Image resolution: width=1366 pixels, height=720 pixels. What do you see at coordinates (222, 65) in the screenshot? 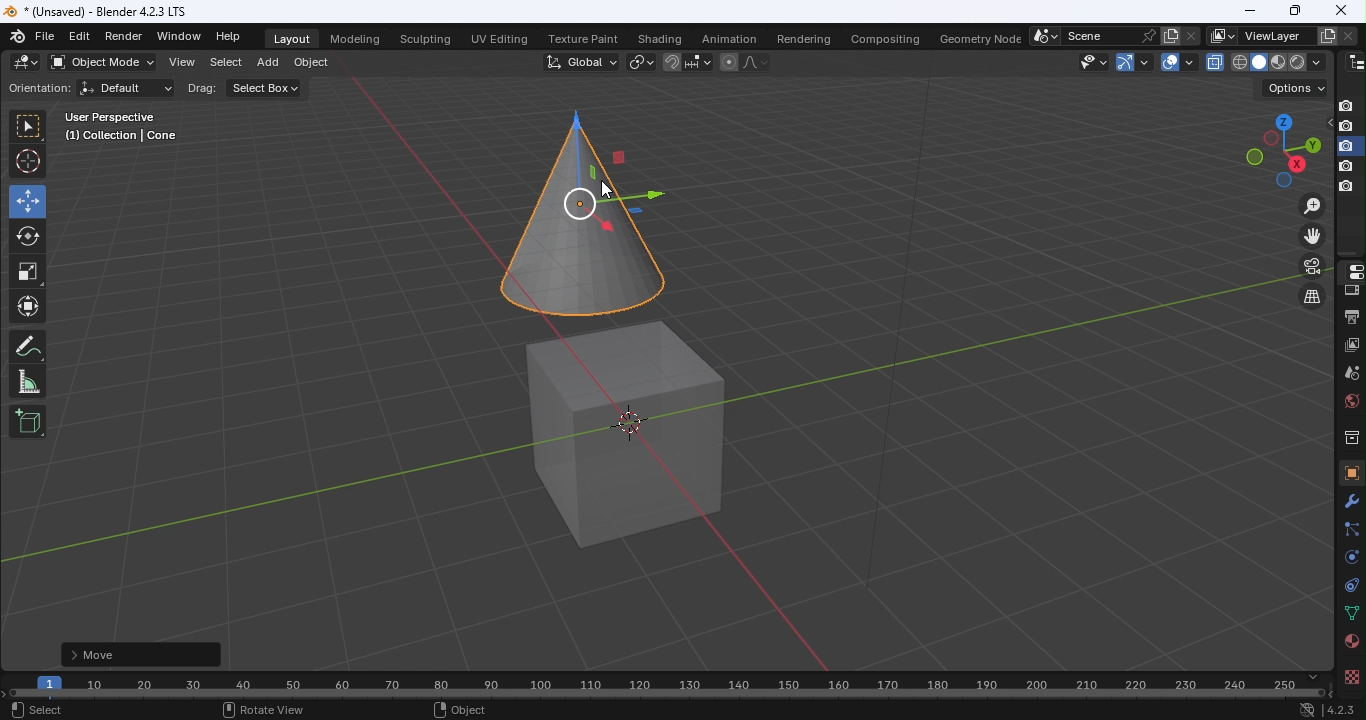
I see `Select` at bounding box center [222, 65].